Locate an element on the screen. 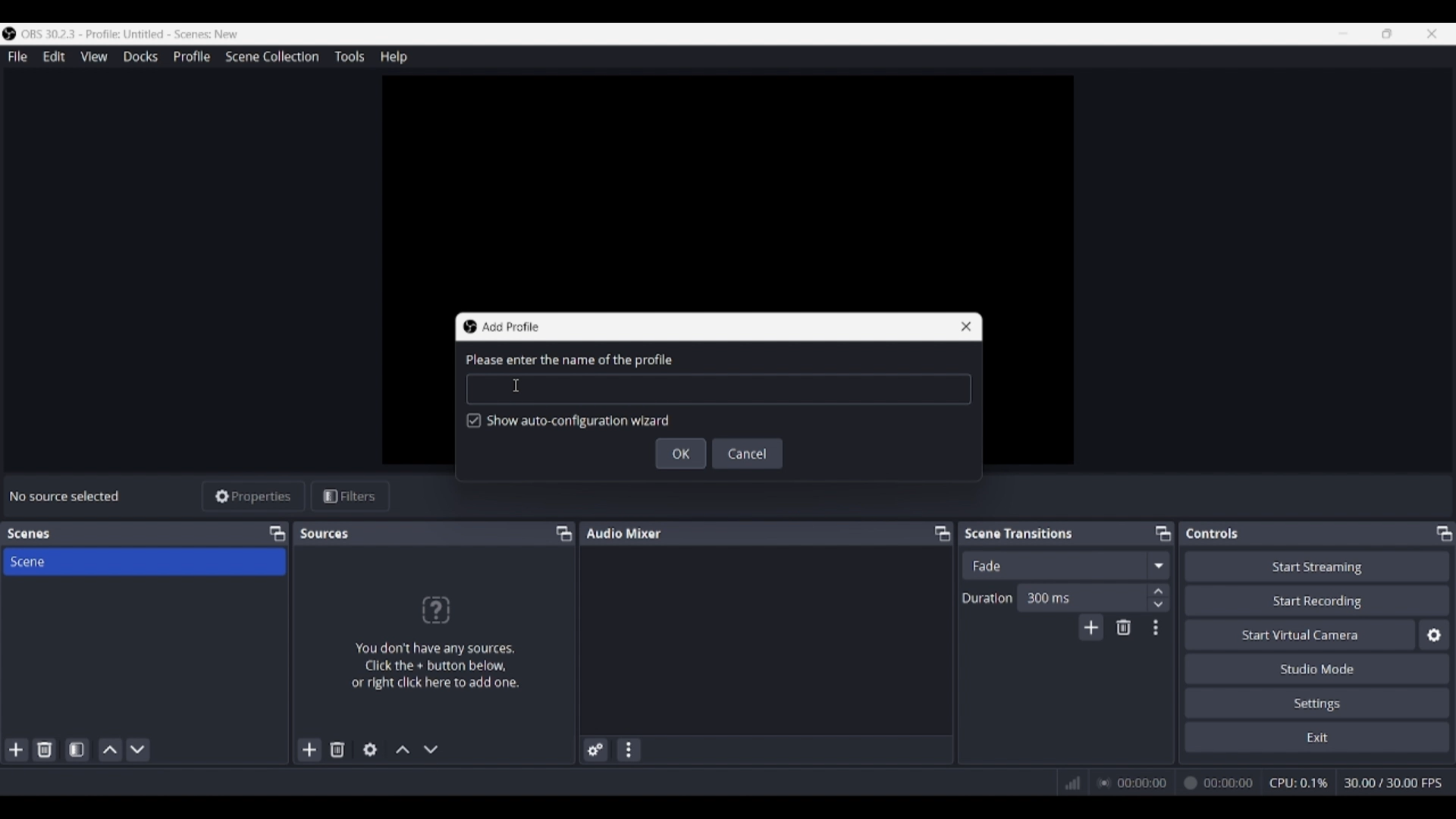  Exit is located at coordinates (1317, 736).